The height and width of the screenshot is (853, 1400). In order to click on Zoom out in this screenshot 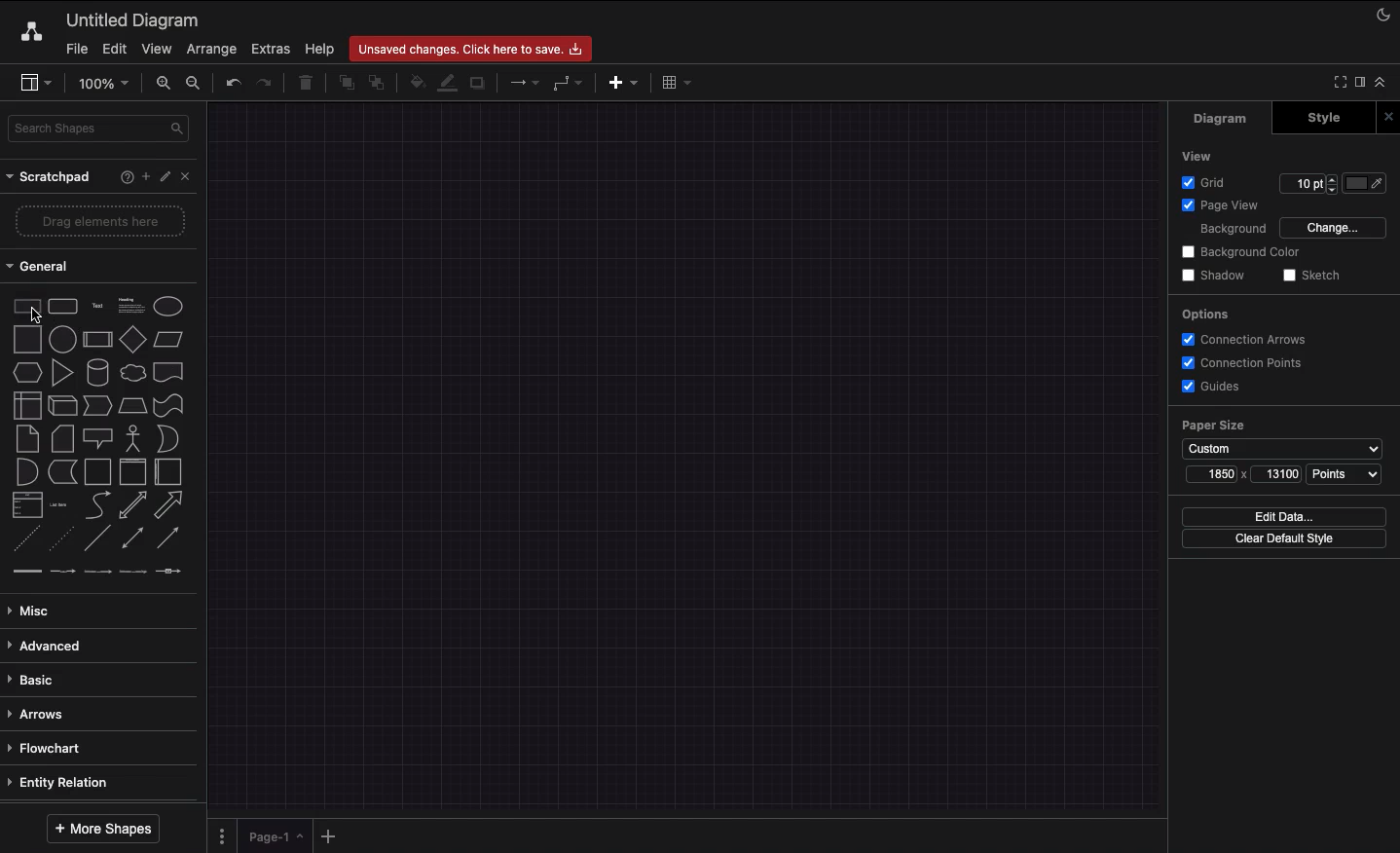, I will do `click(195, 85)`.